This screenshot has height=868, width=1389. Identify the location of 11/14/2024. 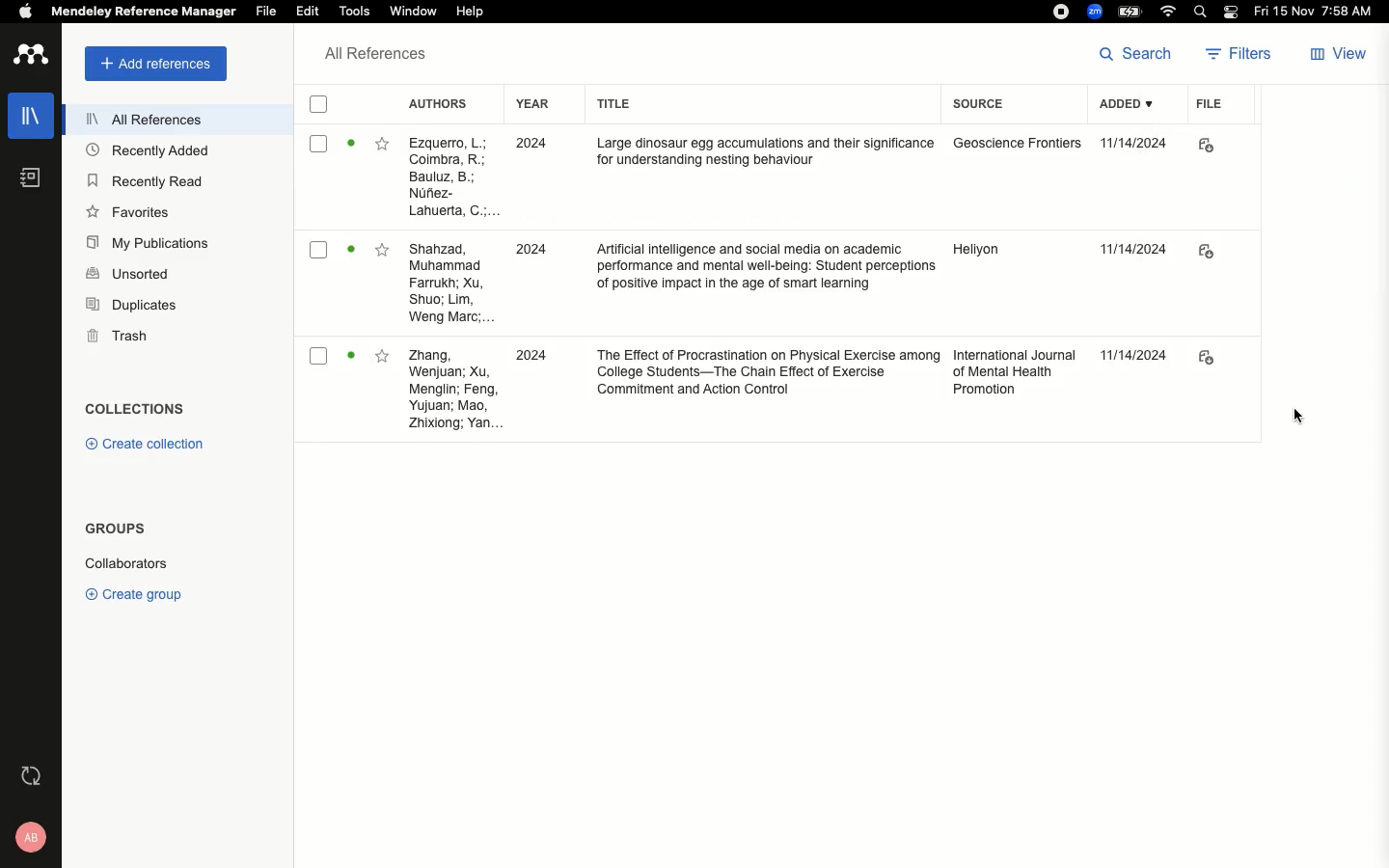
(1131, 248).